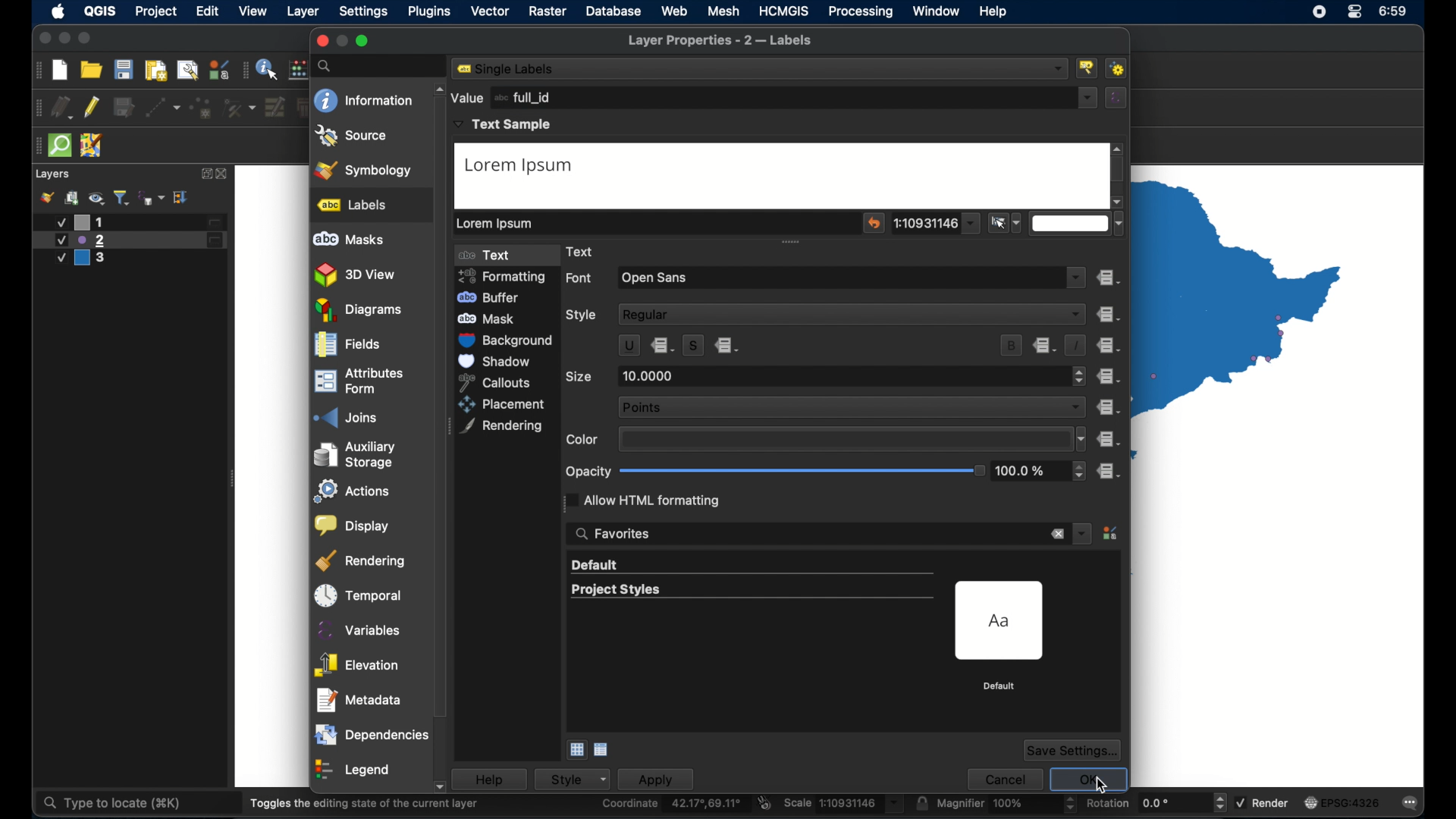  What do you see at coordinates (359, 696) in the screenshot?
I see `metadata` at bounding box center [359, 696].